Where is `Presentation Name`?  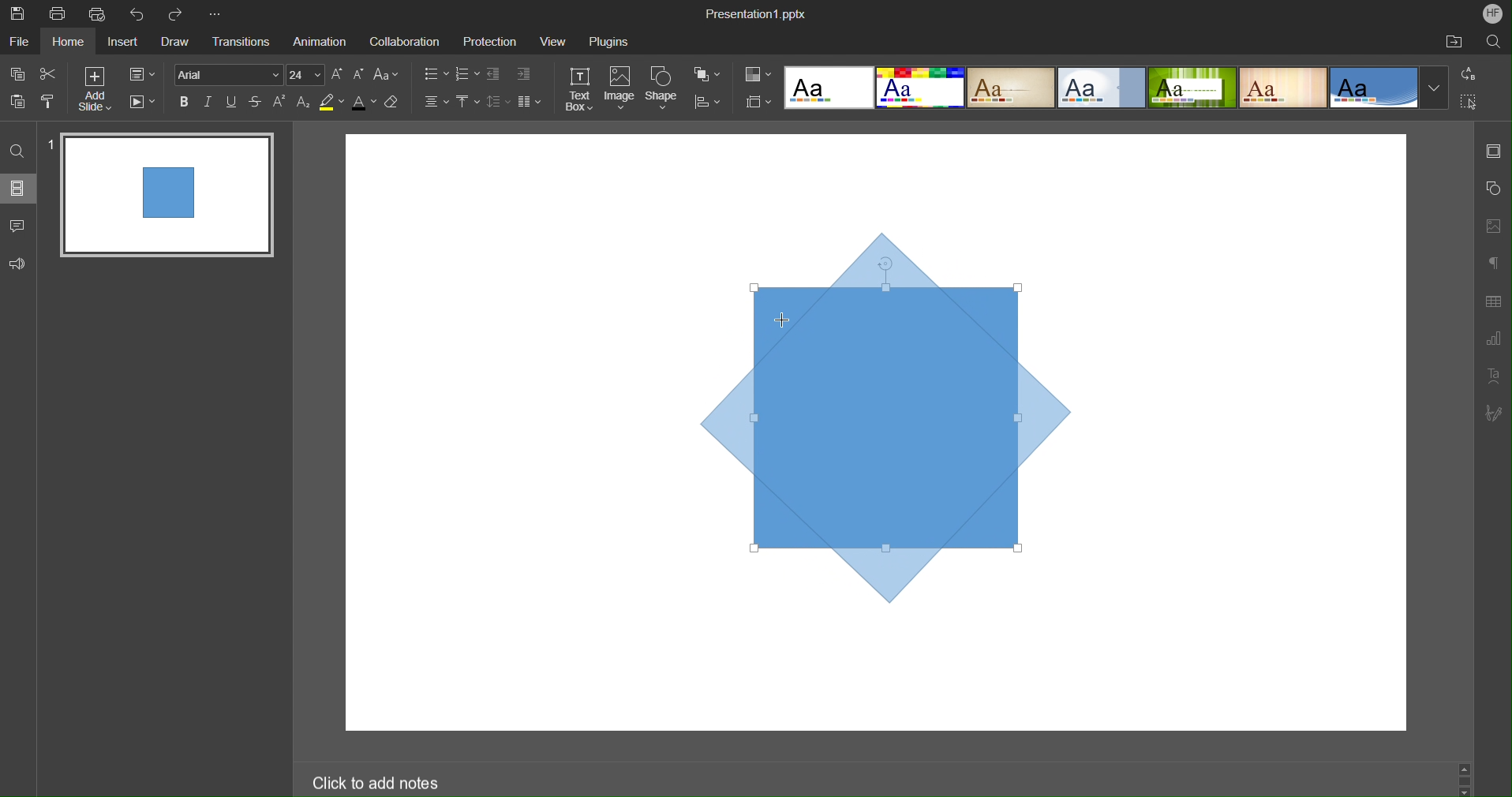 Presentation Name is located at coordinates (758, 13).